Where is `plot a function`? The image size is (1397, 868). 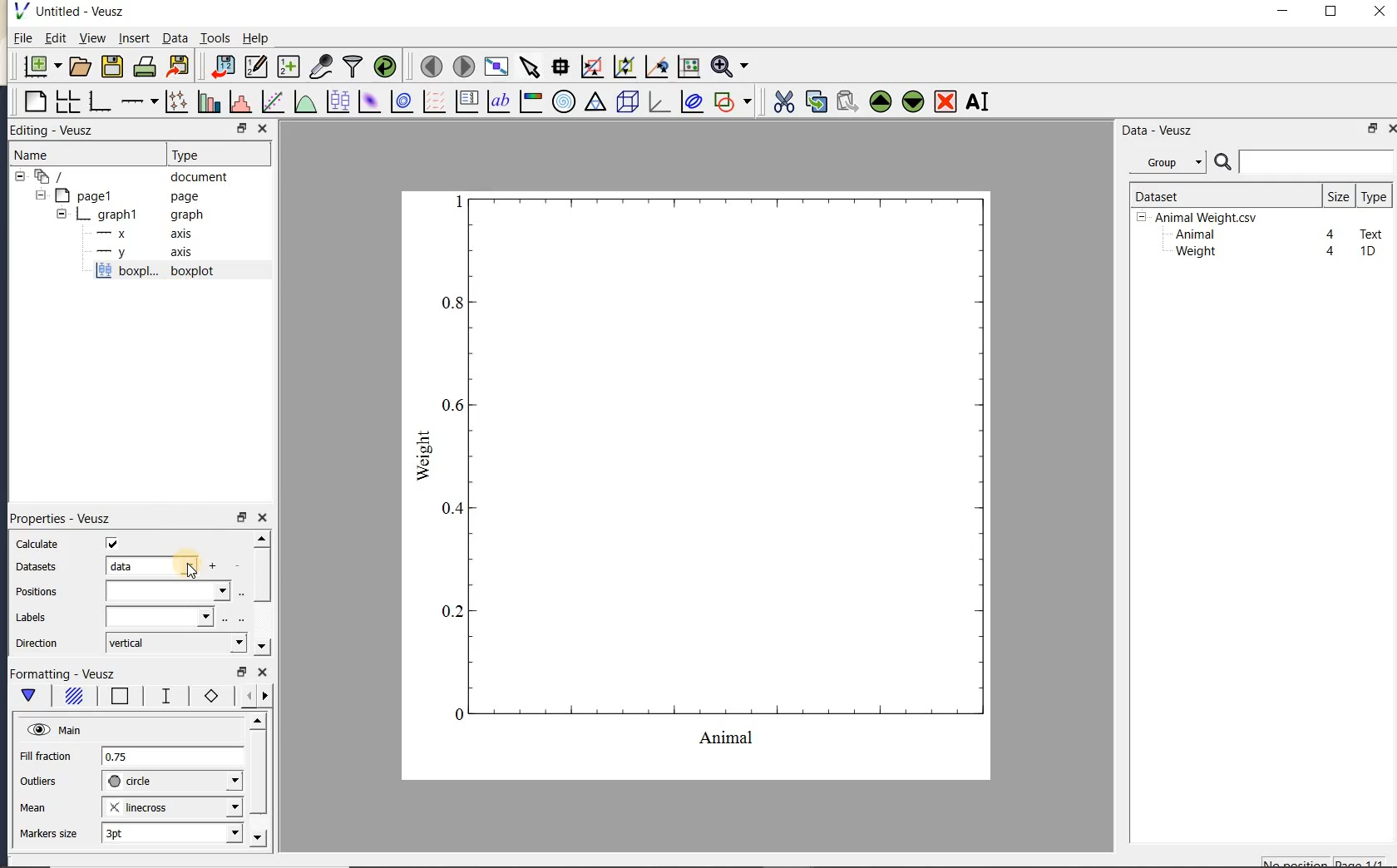 plot a function is located at coordinates (304, 104).